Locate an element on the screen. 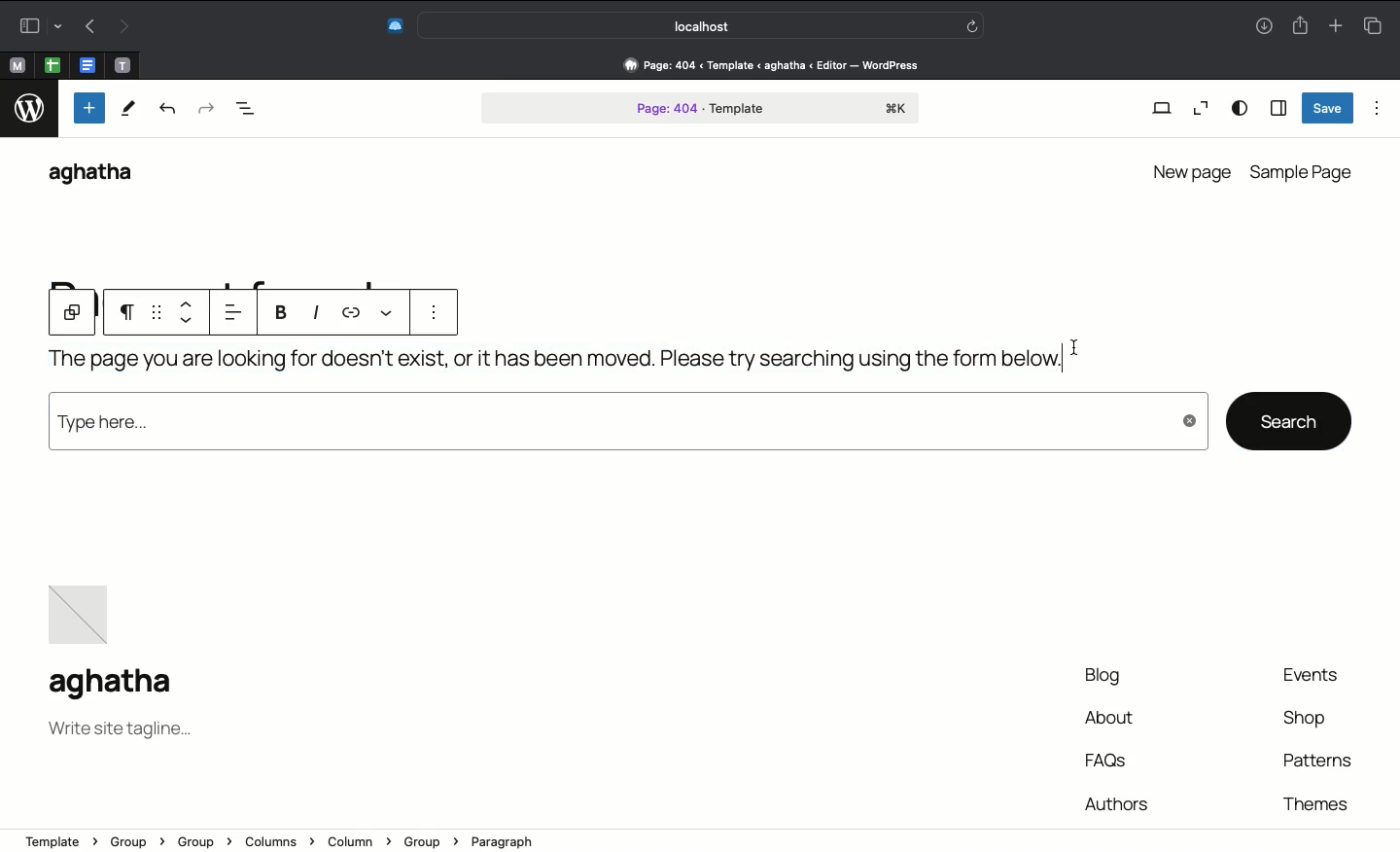 This screenshot has width=1400, height=852. theme is located at coordinates (1313, 800).